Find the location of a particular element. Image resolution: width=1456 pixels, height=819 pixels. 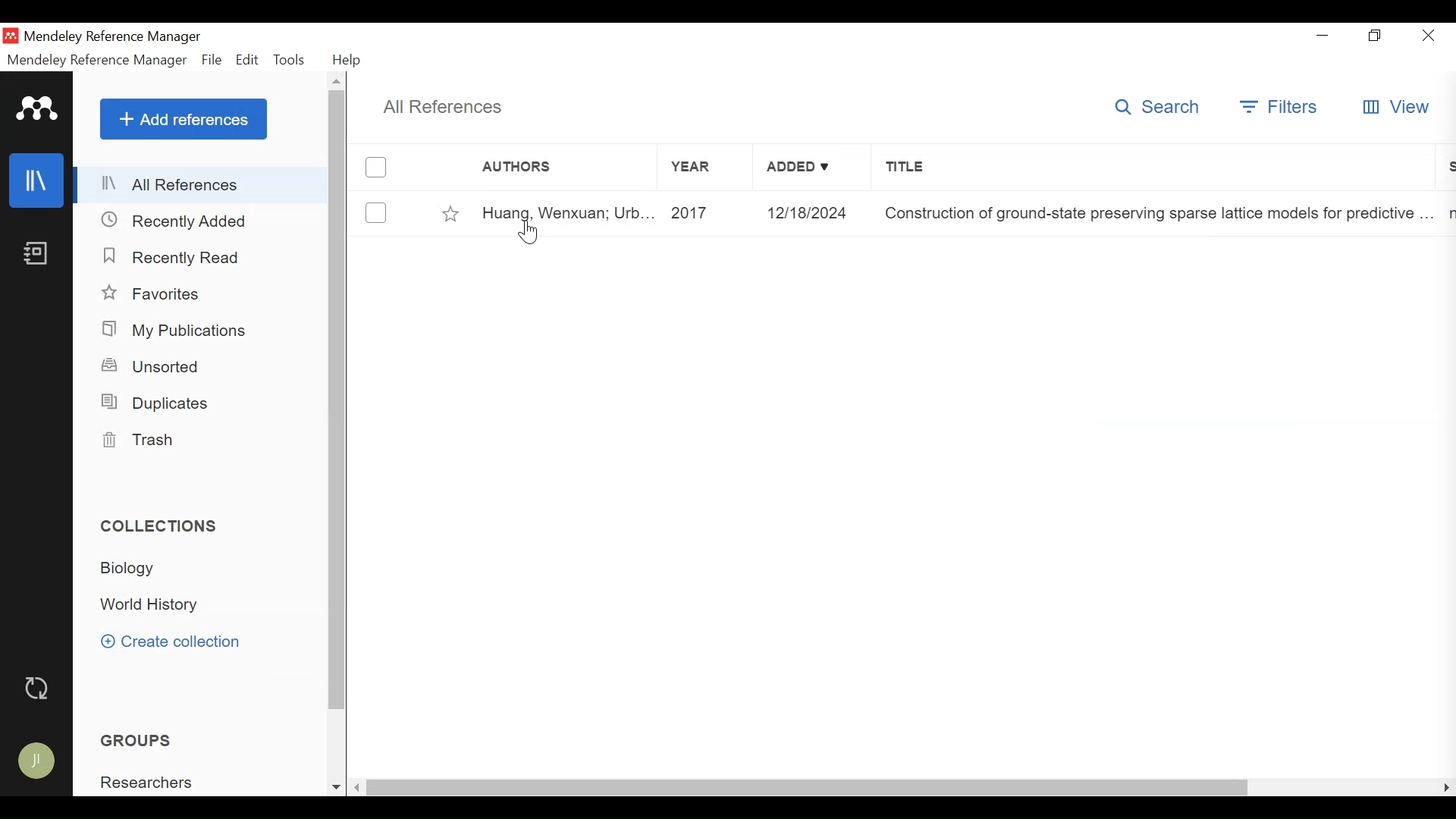

Unsorted is located at coordinates (152, 367).